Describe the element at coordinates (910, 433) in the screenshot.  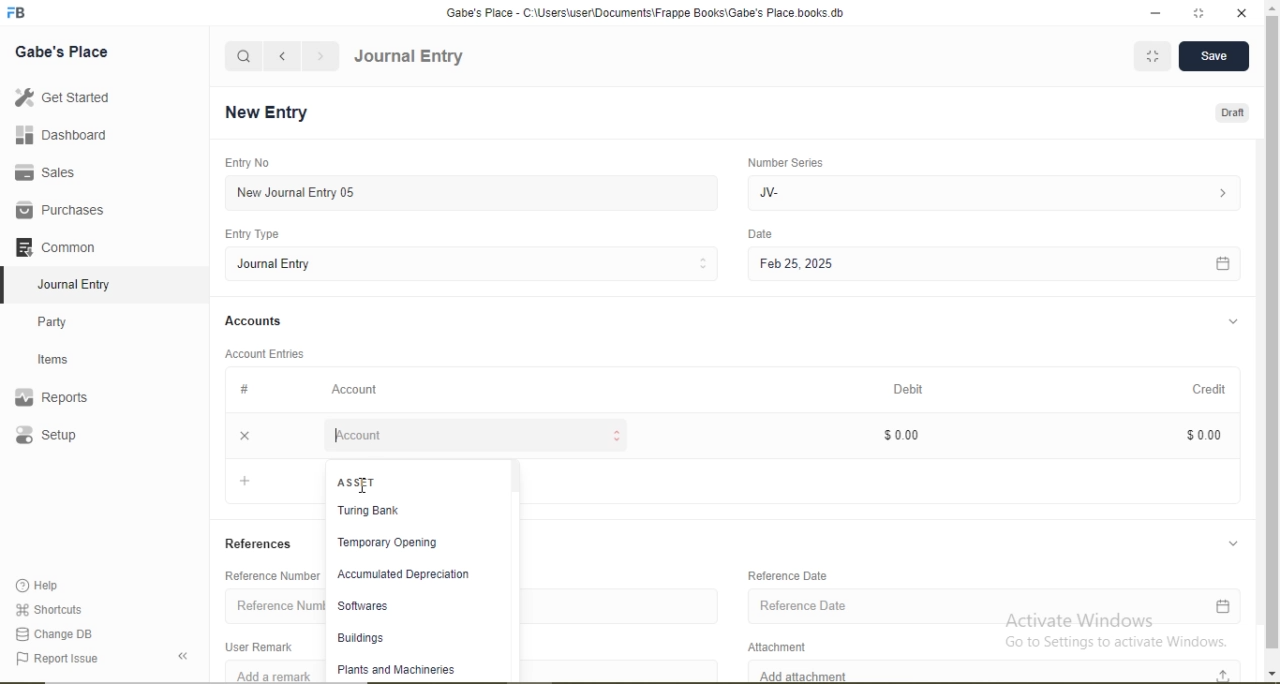
I see `$0.00` at that location.